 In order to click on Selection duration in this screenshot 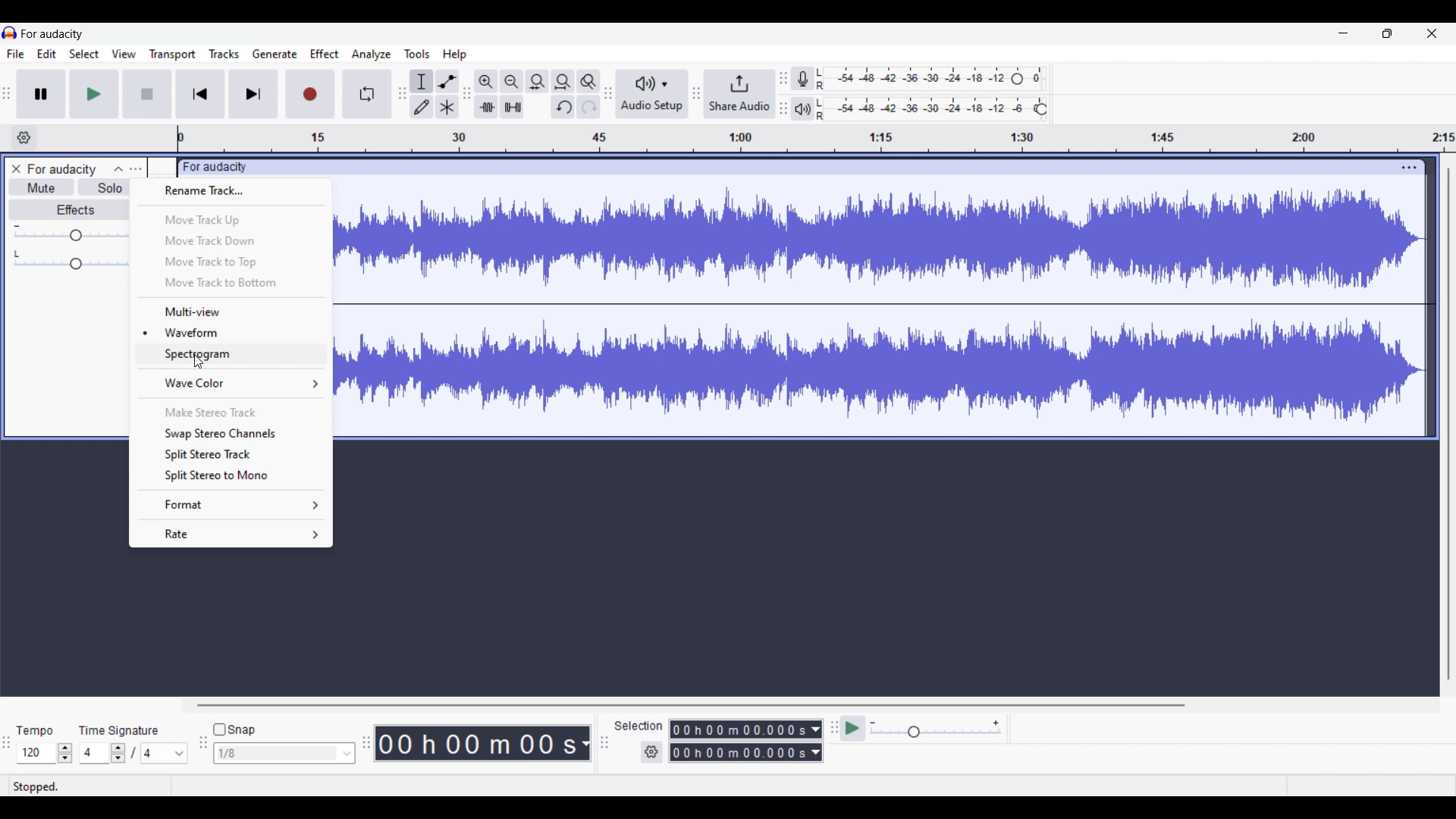, I will do `click(739, 741)`.